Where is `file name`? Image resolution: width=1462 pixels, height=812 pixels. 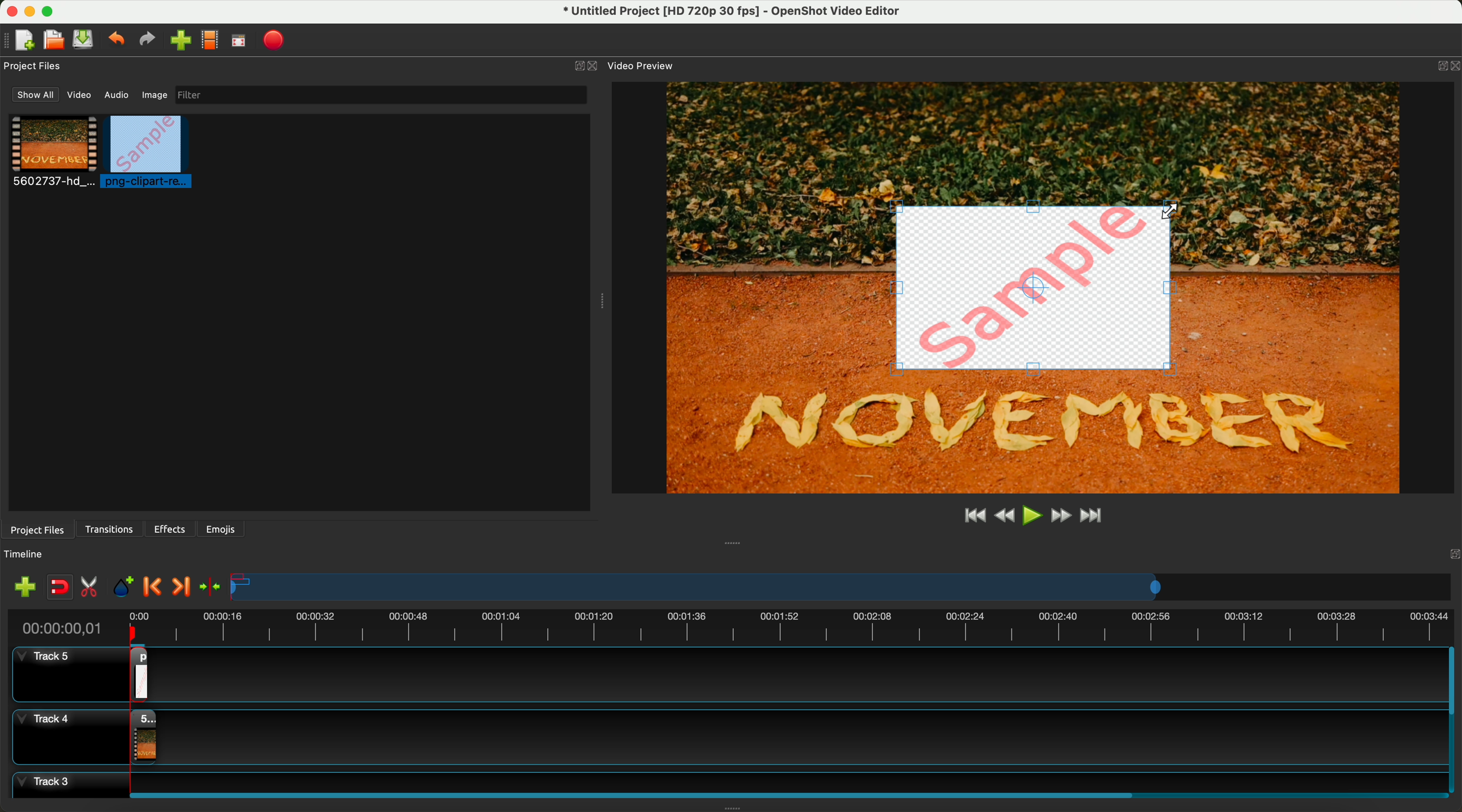
file name is located at coordinates (725, 13).